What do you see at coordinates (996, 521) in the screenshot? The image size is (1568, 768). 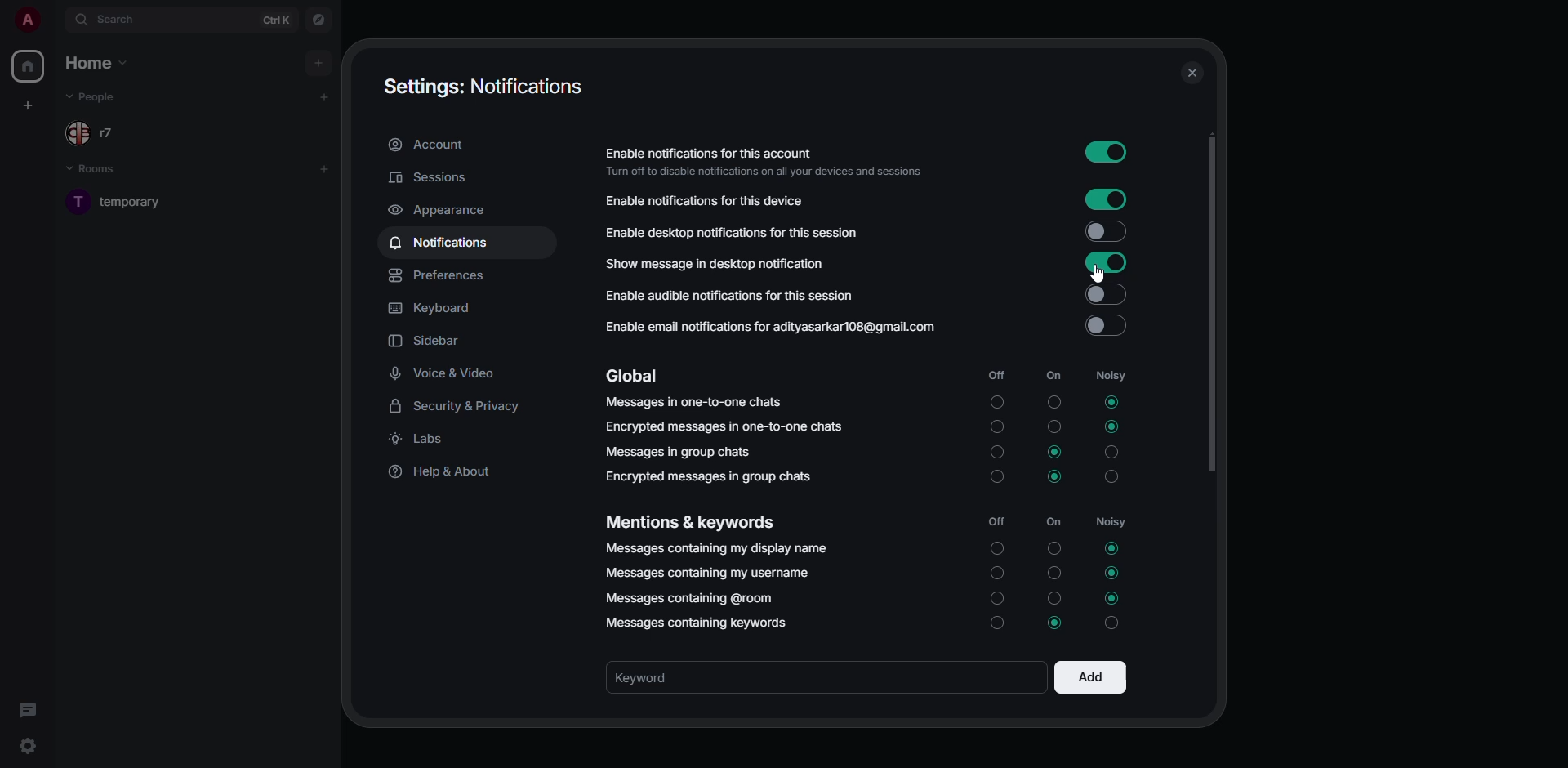 I see `off` at bounding box center [996, 521].